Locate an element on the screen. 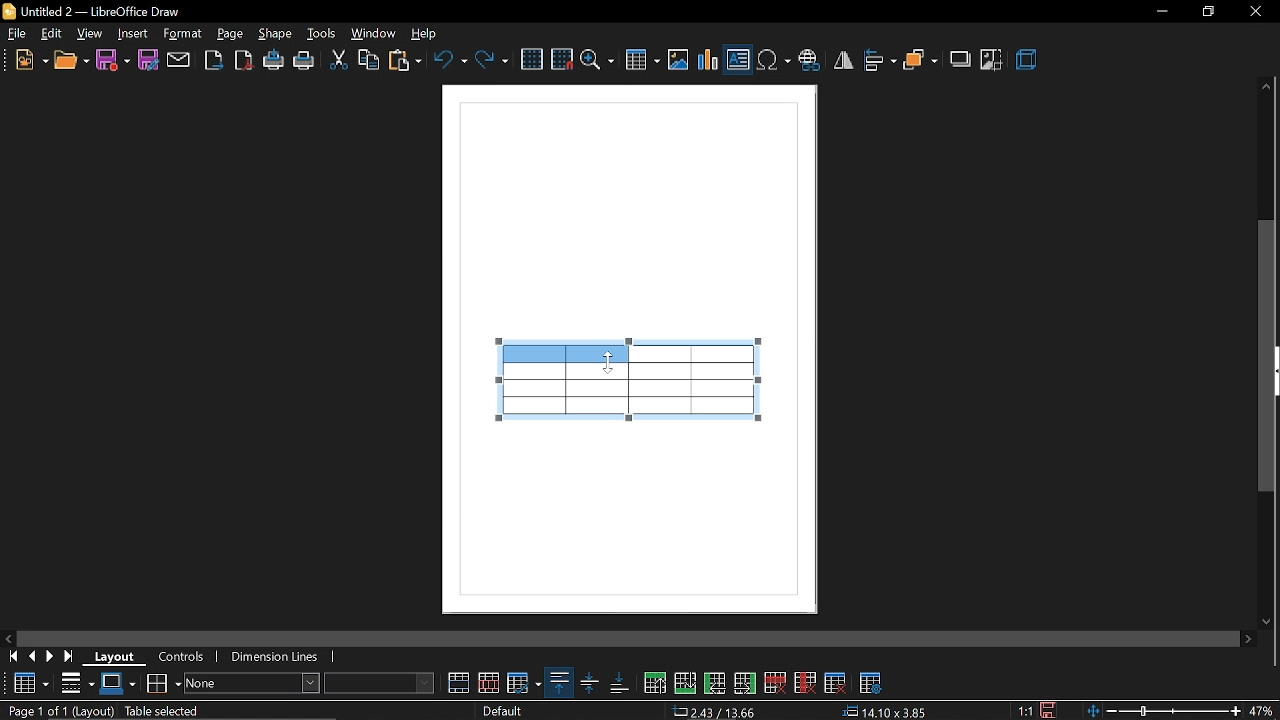 The width and height of the screenshot is (1280, 720). selected columns is located at coordinates (570, 359).